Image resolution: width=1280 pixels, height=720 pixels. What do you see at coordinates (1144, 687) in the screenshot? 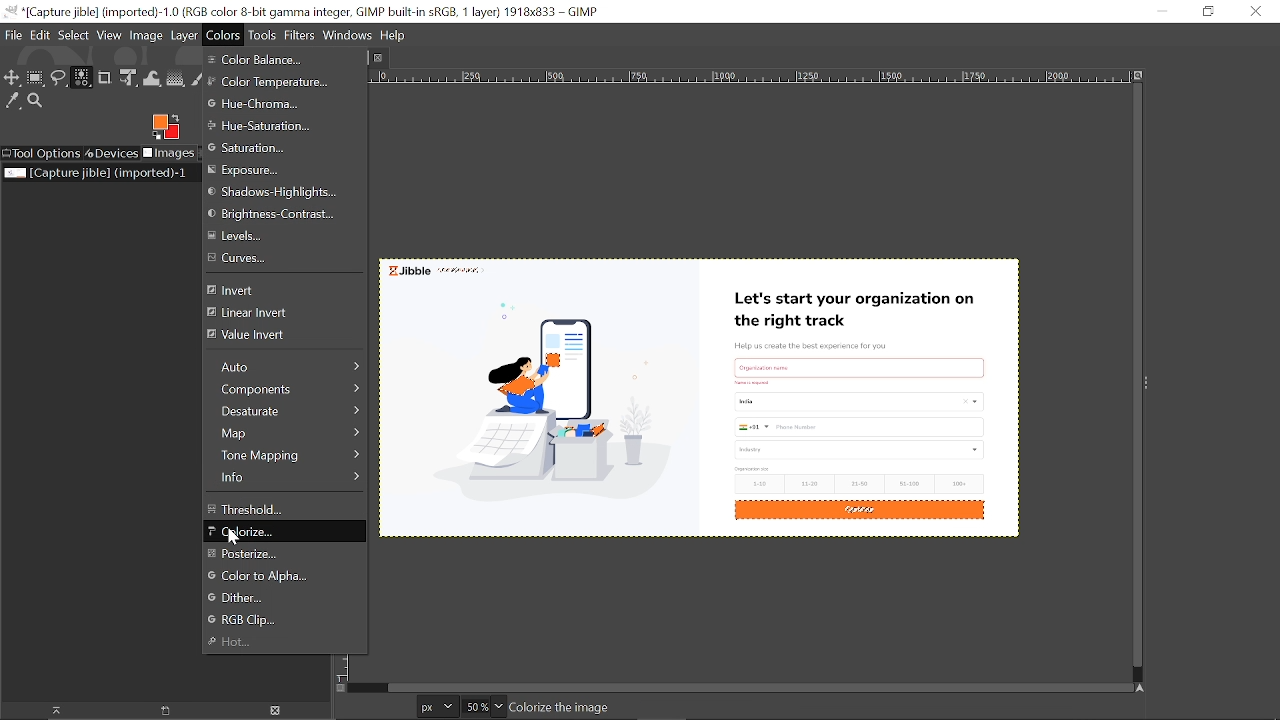
I see `navigate this window` at bounding box center [1144, 687].